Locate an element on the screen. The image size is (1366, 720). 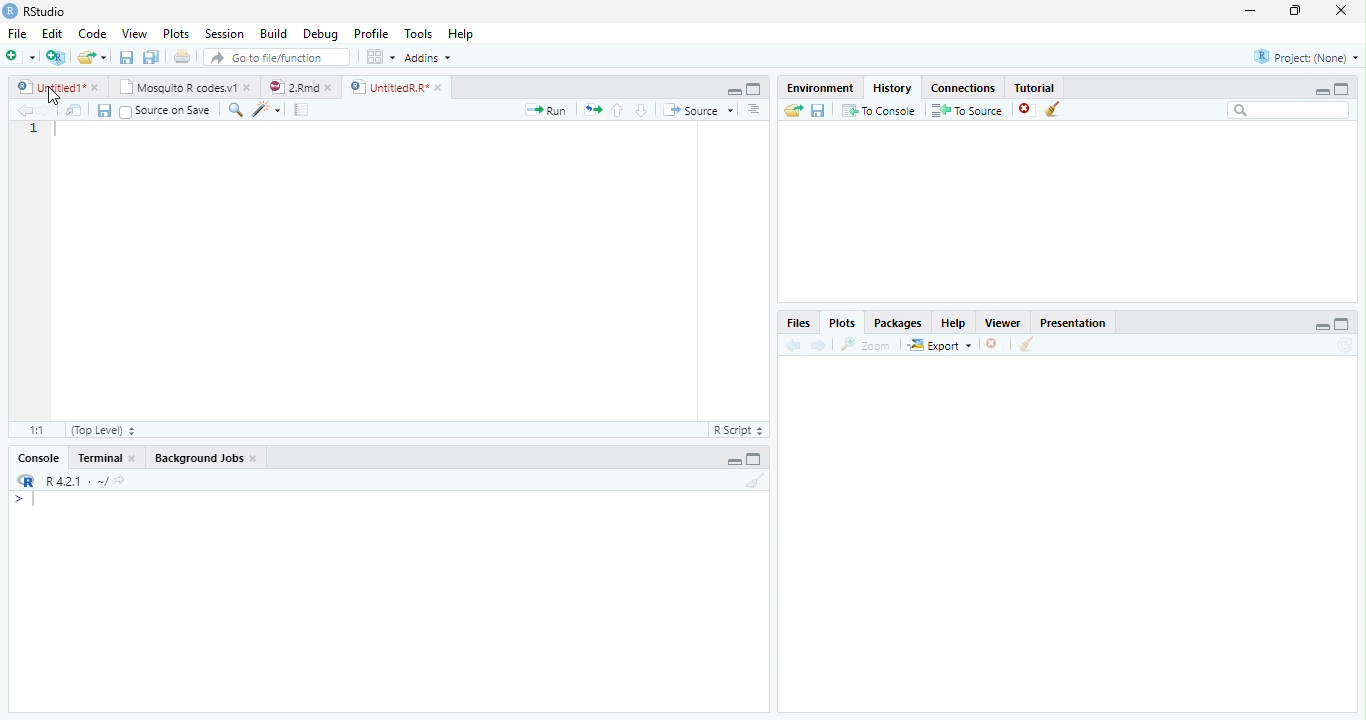
Zoom is located at coordinates (865, 346).